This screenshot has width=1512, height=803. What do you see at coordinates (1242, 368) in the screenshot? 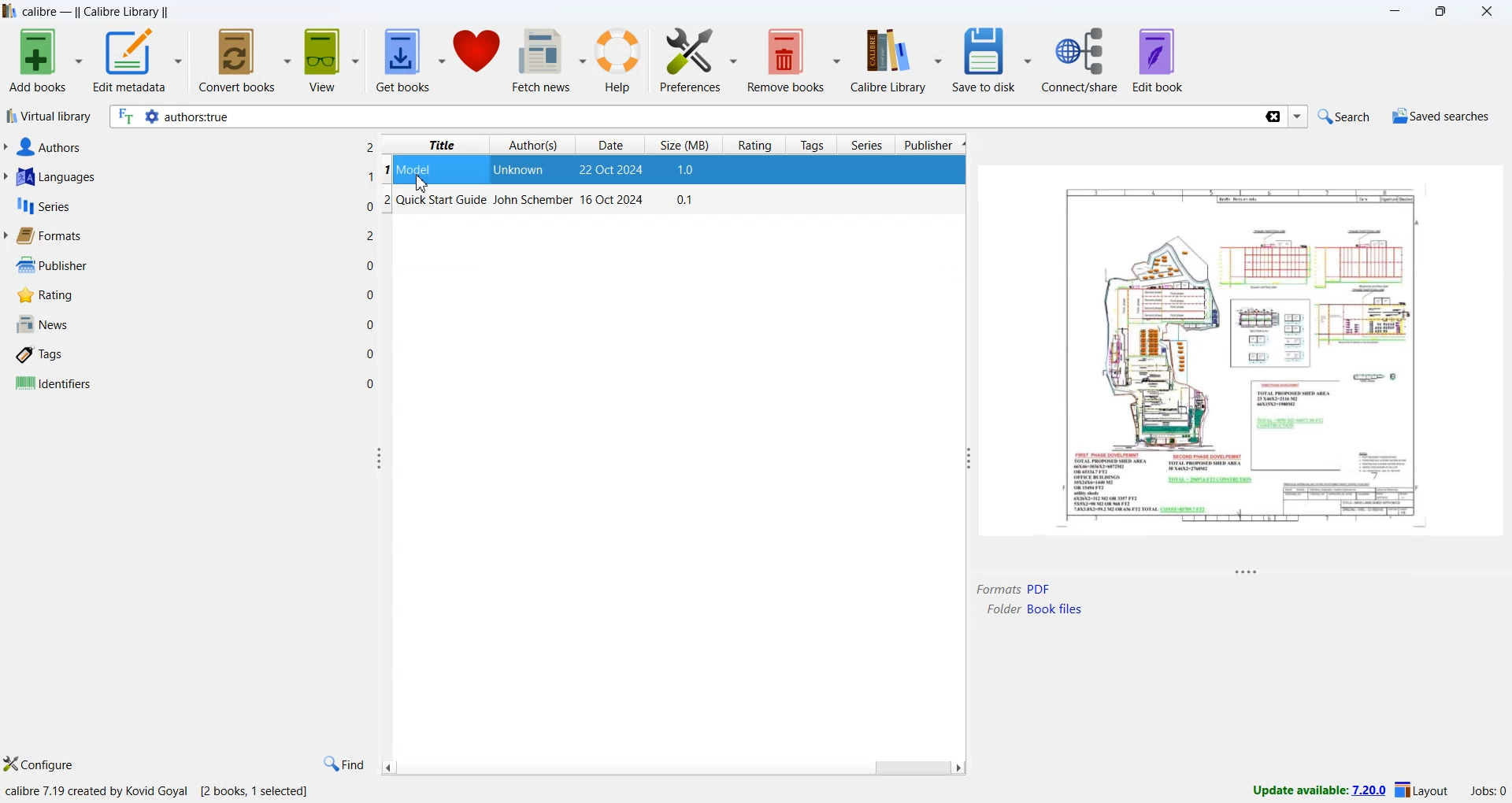
I see `Book Detail Window` at bounding box center [1242, 368].